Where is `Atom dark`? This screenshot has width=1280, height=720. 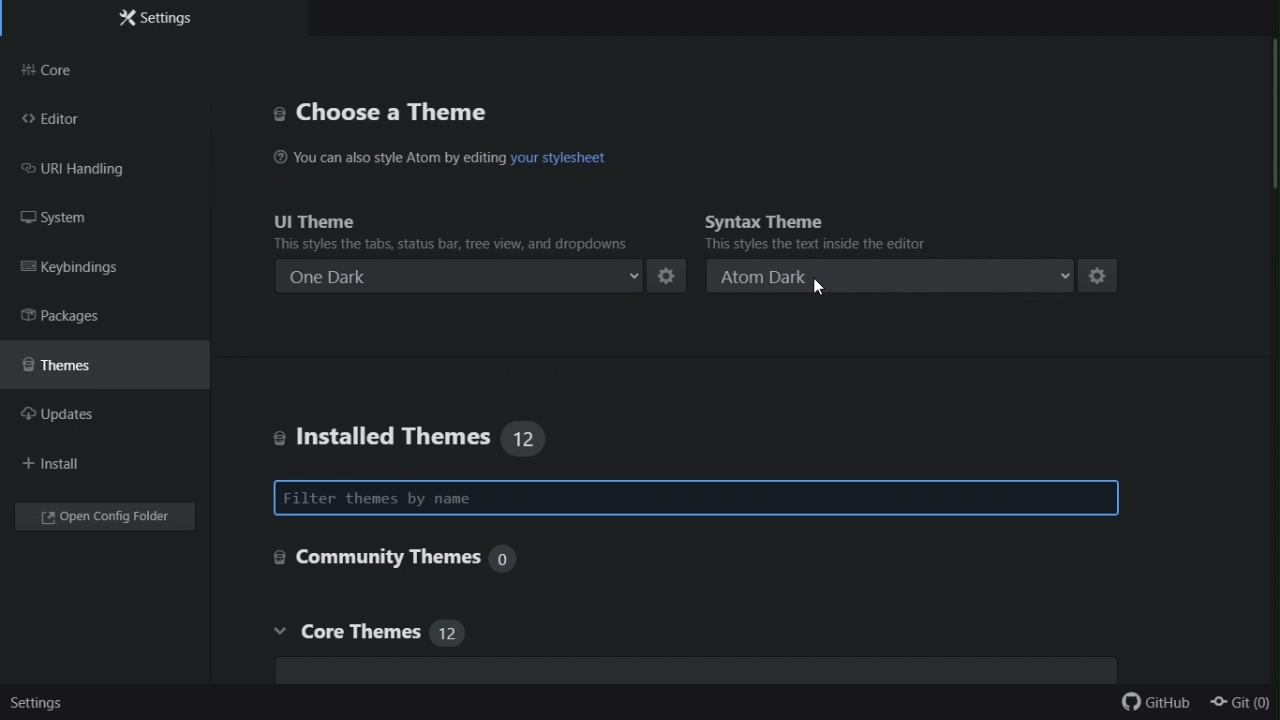
Atom dark is located at coordinates (914, 279).